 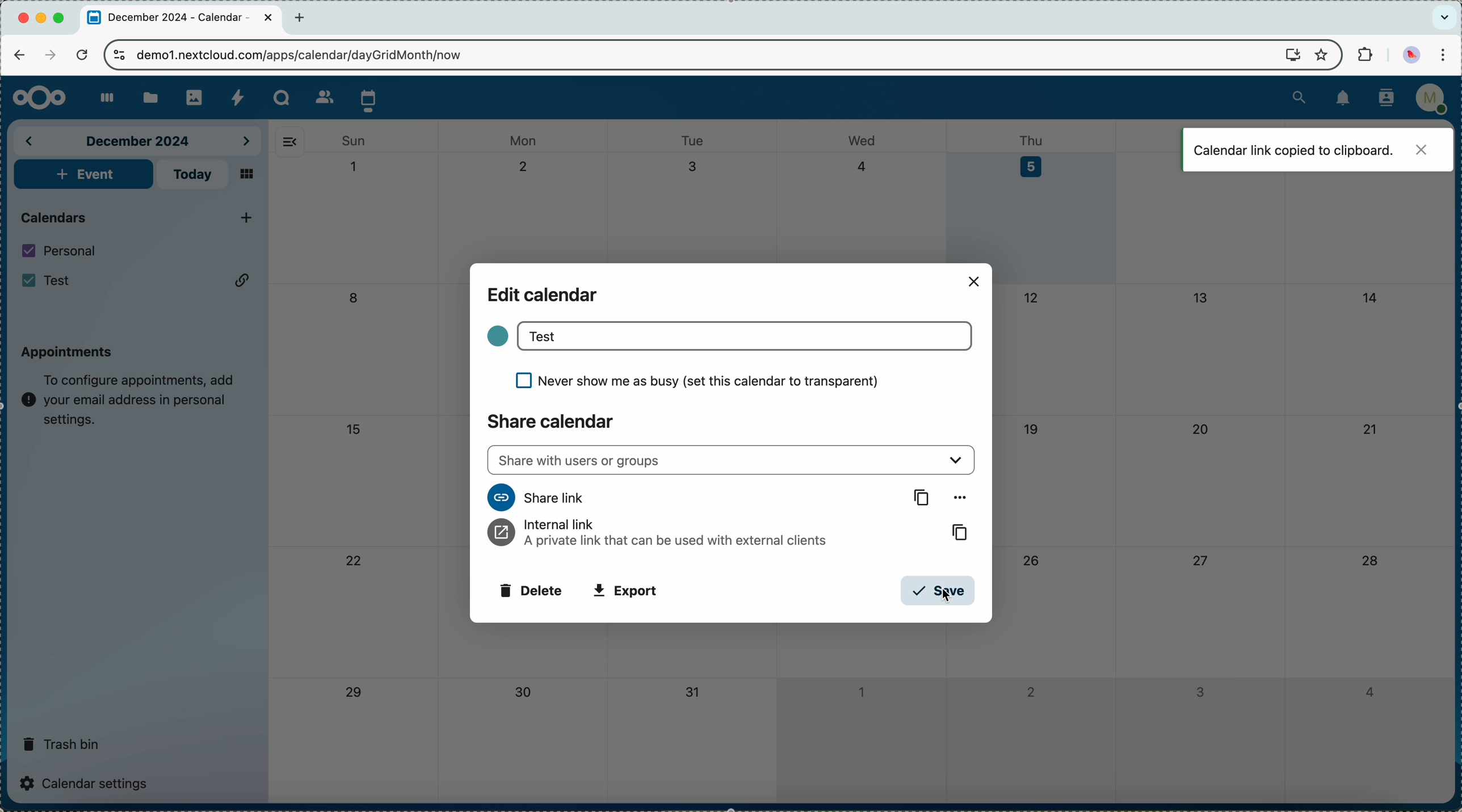 What do you see at coordinates (352, 429) in the screenshot?
I see `15` at bounding box center [352, 429].